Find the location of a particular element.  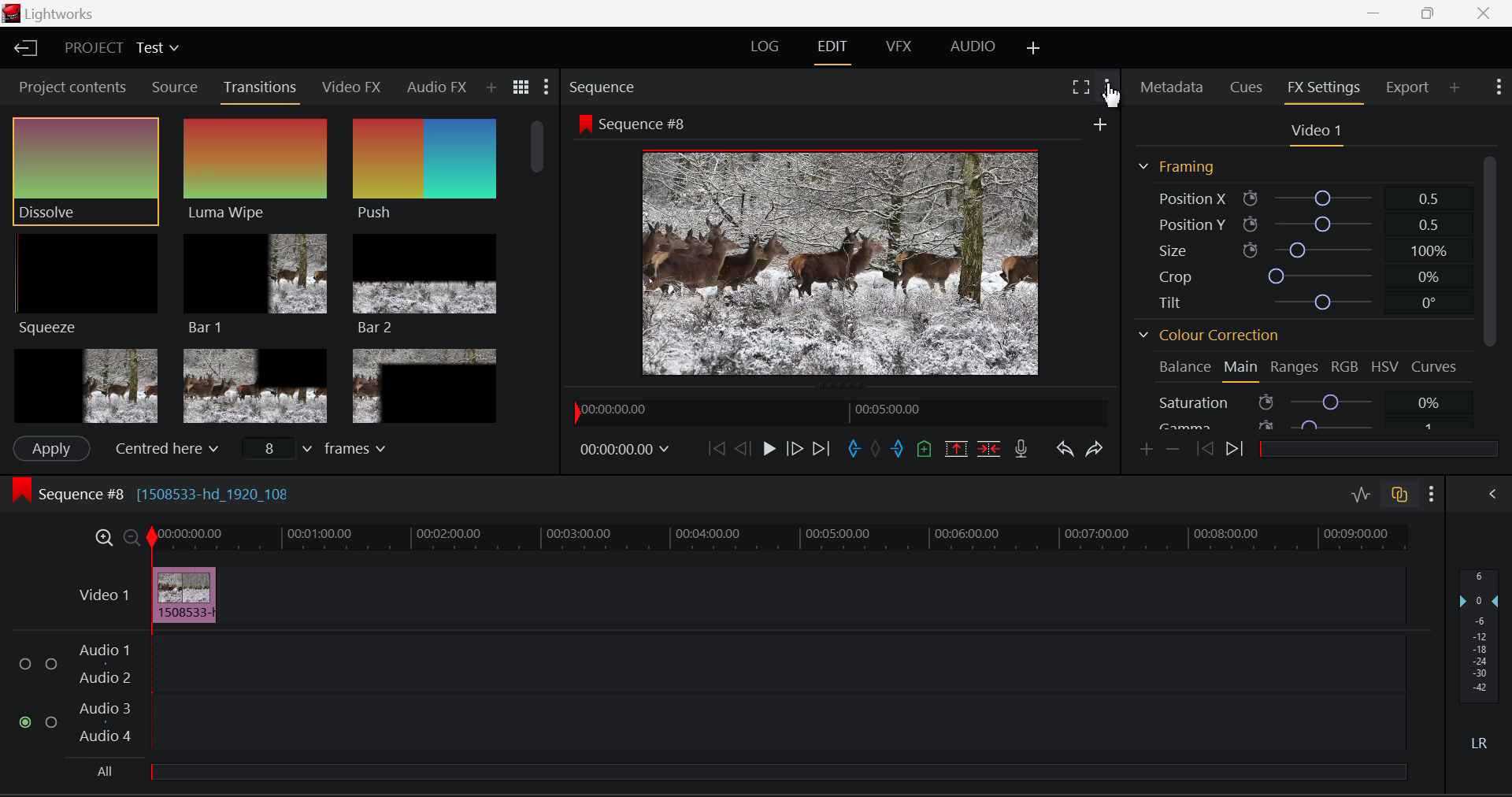

Cursor is located at coordinates (1119, 97).